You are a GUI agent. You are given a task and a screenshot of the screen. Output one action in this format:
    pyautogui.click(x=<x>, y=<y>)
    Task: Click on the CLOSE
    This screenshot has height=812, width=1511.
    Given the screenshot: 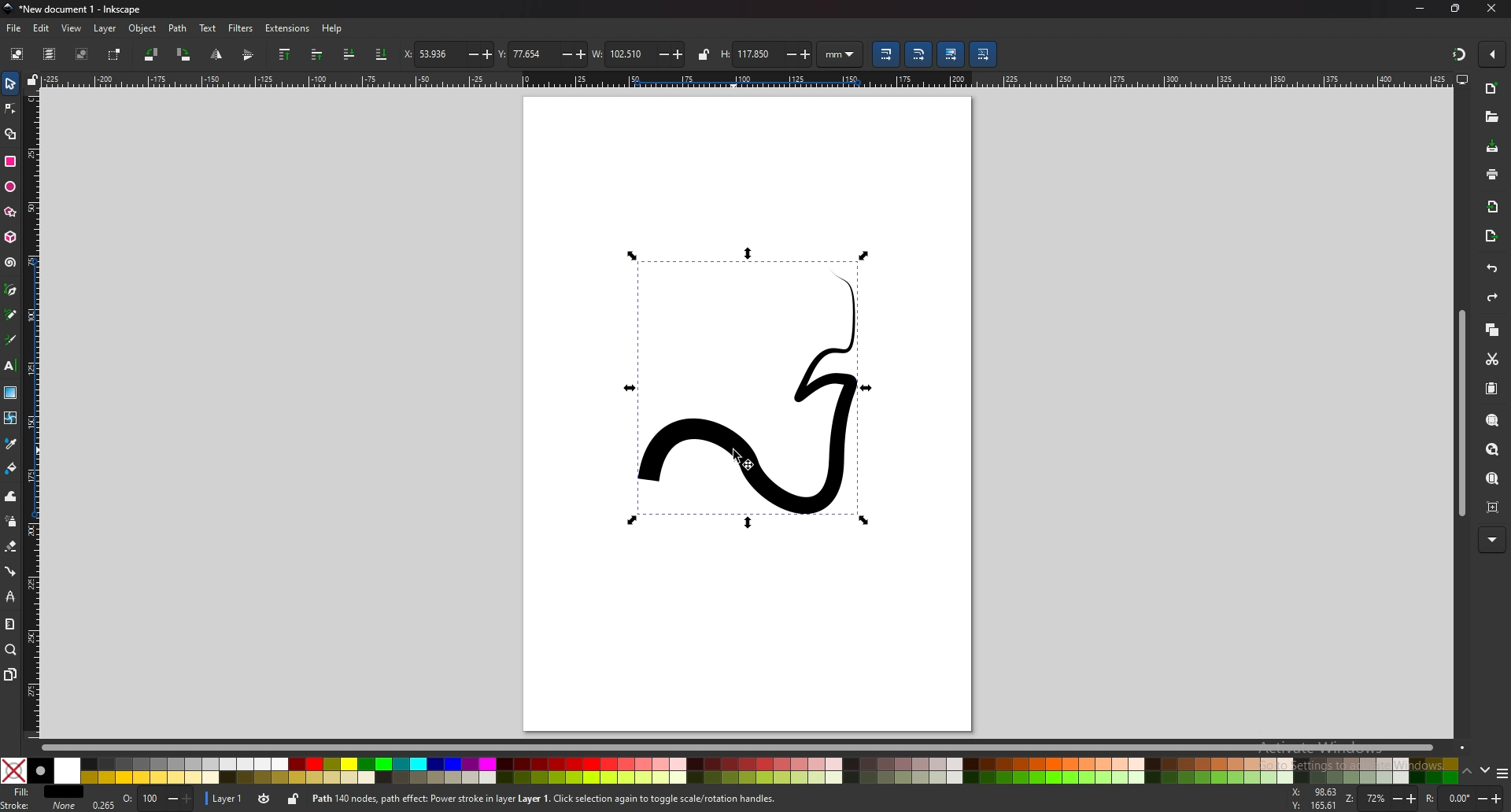 What is the action you would take?
    pyautogui.click(x=1487, y=9)
    